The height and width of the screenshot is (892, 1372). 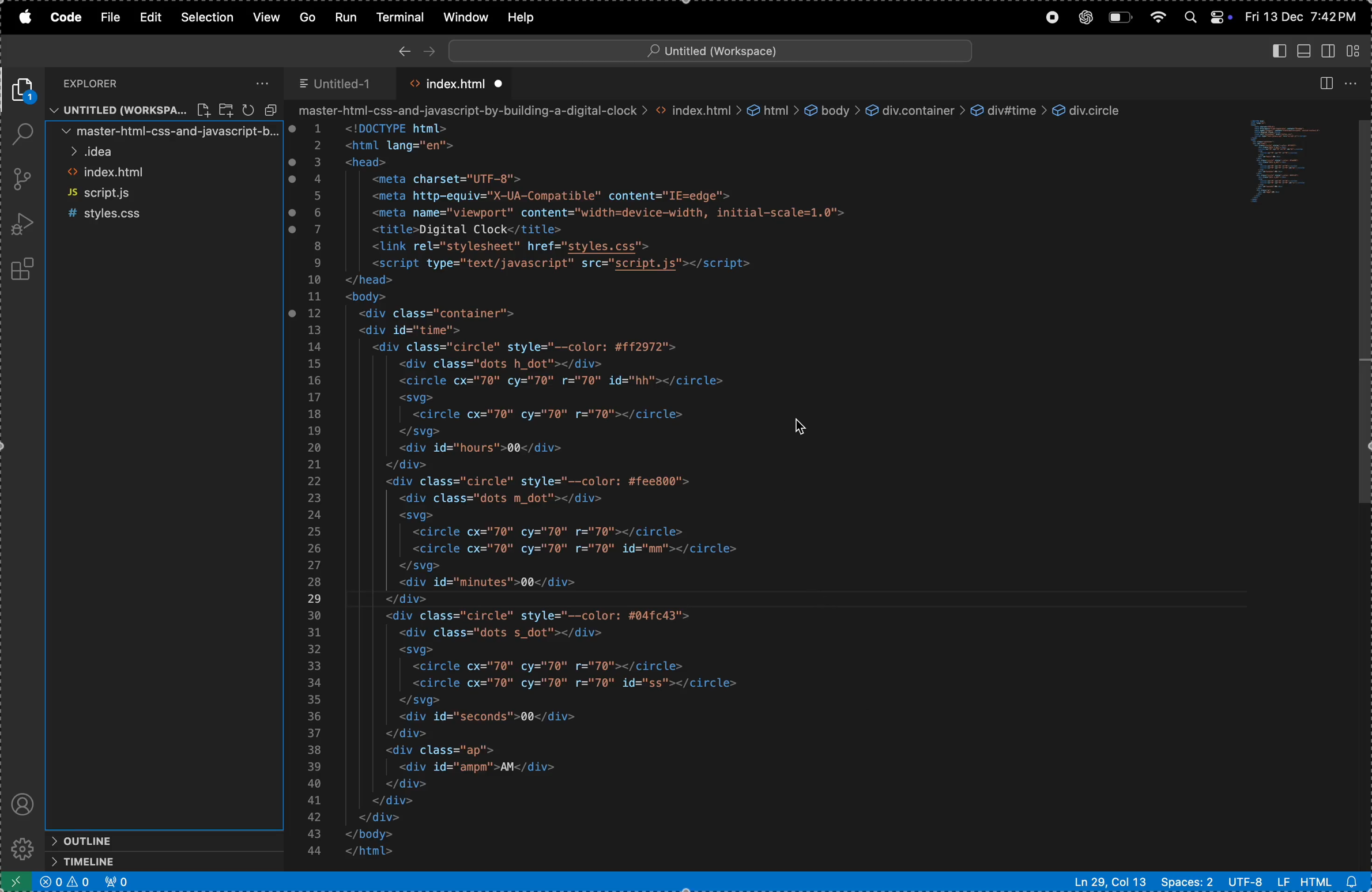 What do you see at coordinates (165, 131) in the screenshot?
I see `master html css java script` at bounding box center [165, 131].